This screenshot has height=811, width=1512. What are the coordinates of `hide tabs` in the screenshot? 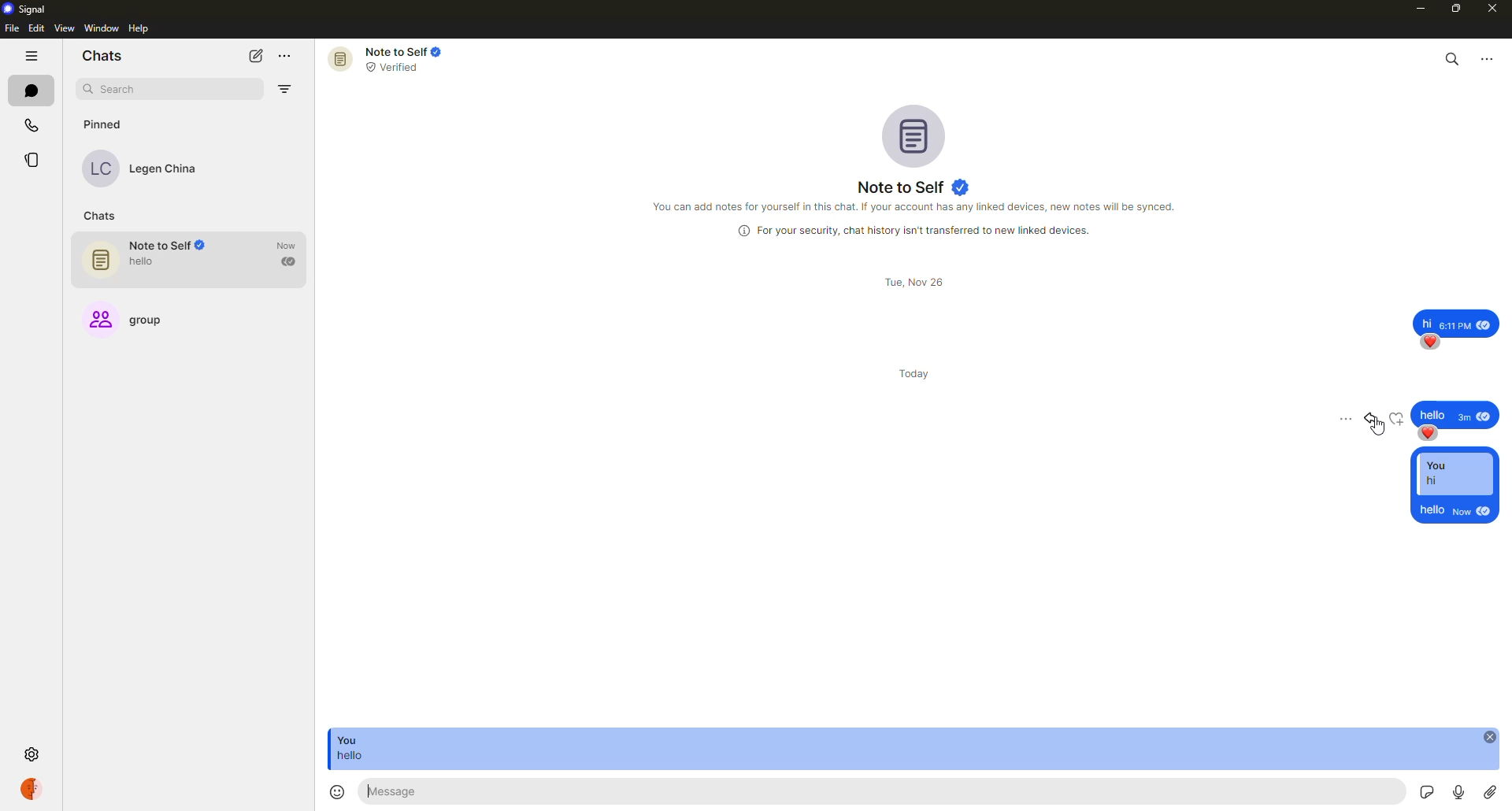 It's located at (33, 56).